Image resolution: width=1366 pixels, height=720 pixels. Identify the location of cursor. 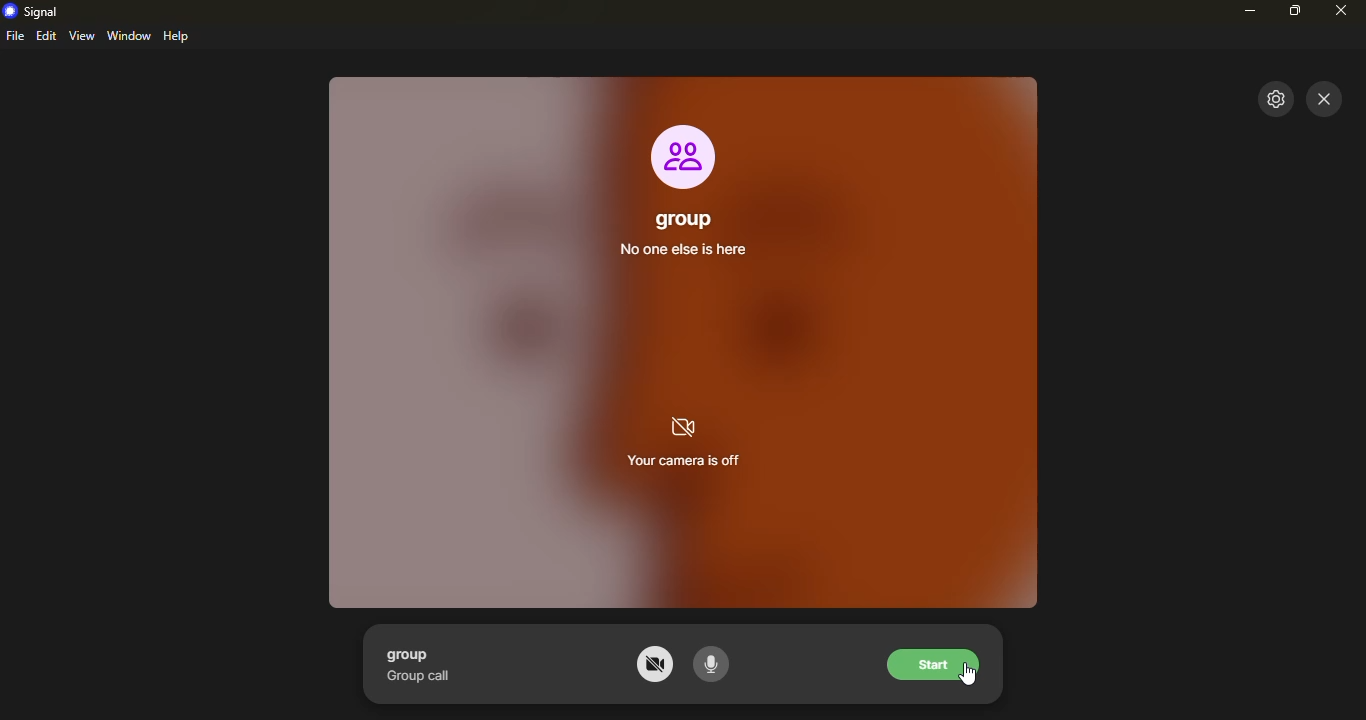
(972, 677).